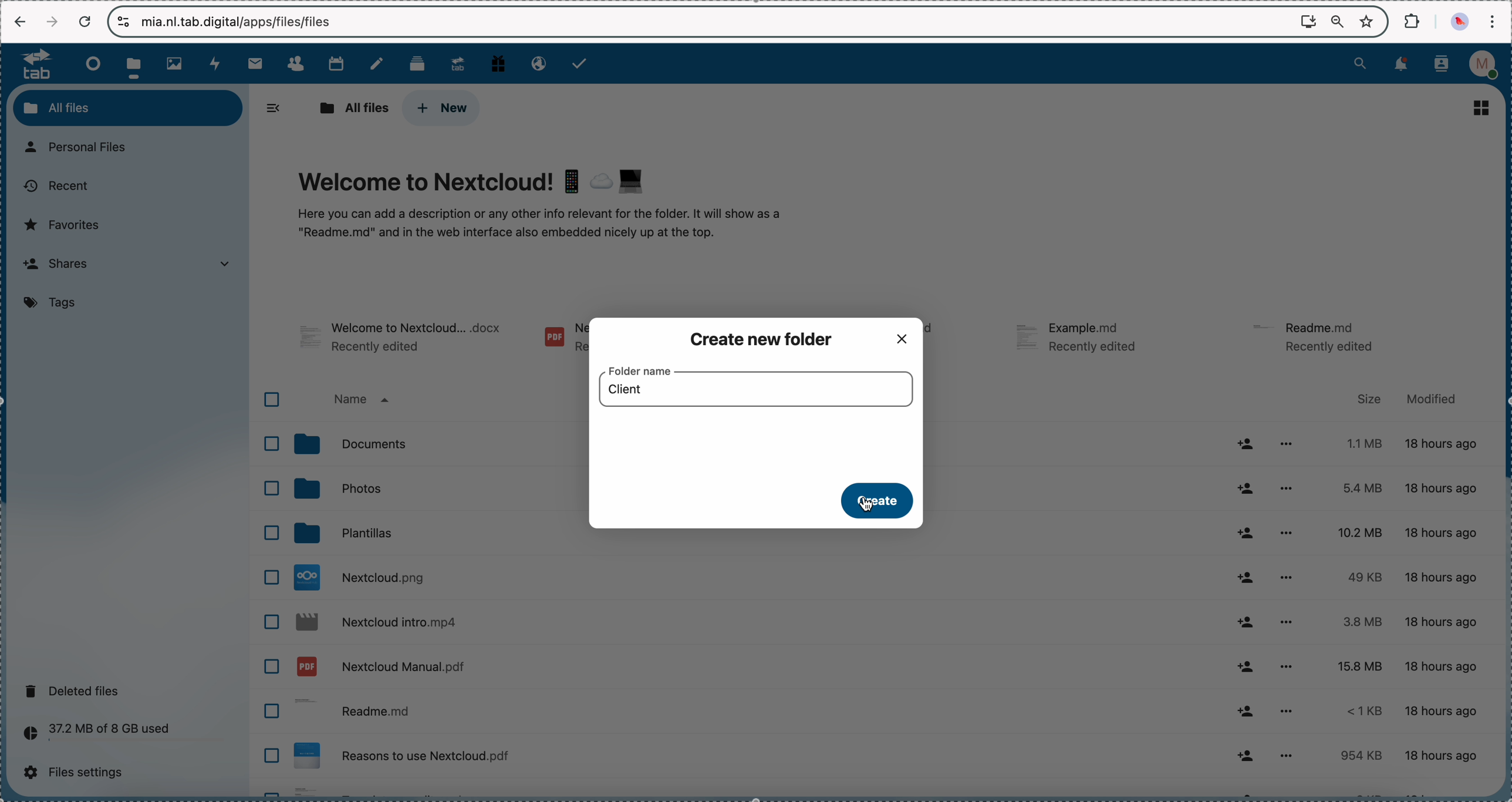 The width and height of the screenshot is (1512, 802). Describe the element at coordinates (865, 510) in the screenshot. I see `cursor` at that location.